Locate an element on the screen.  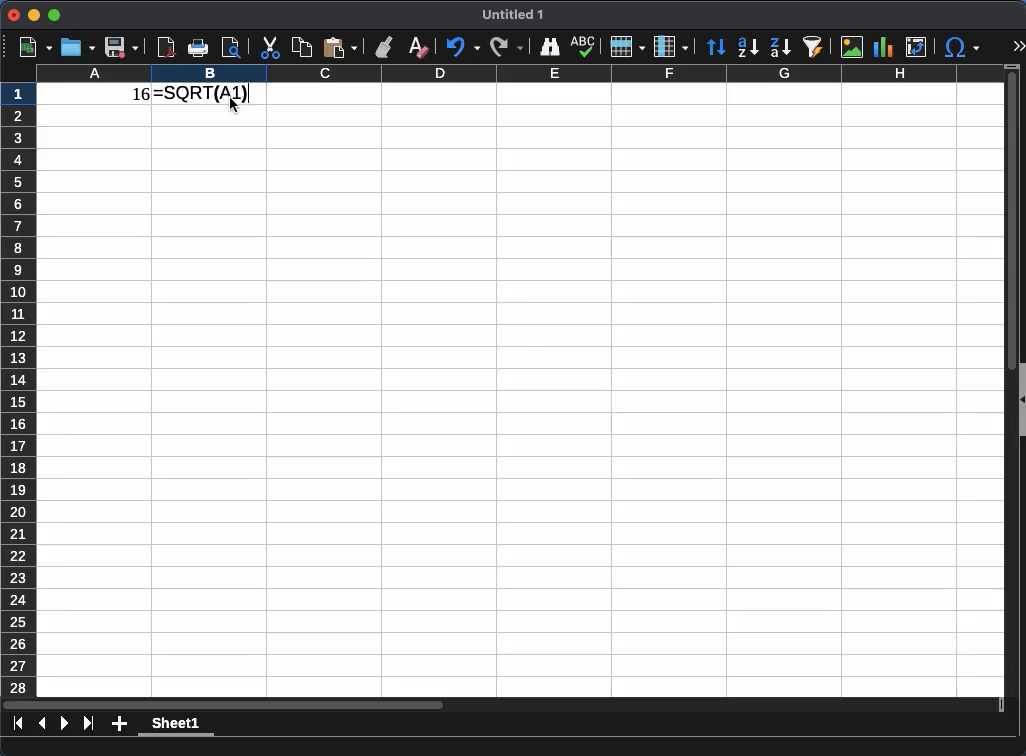
finder is located at coordinates (548, 48).